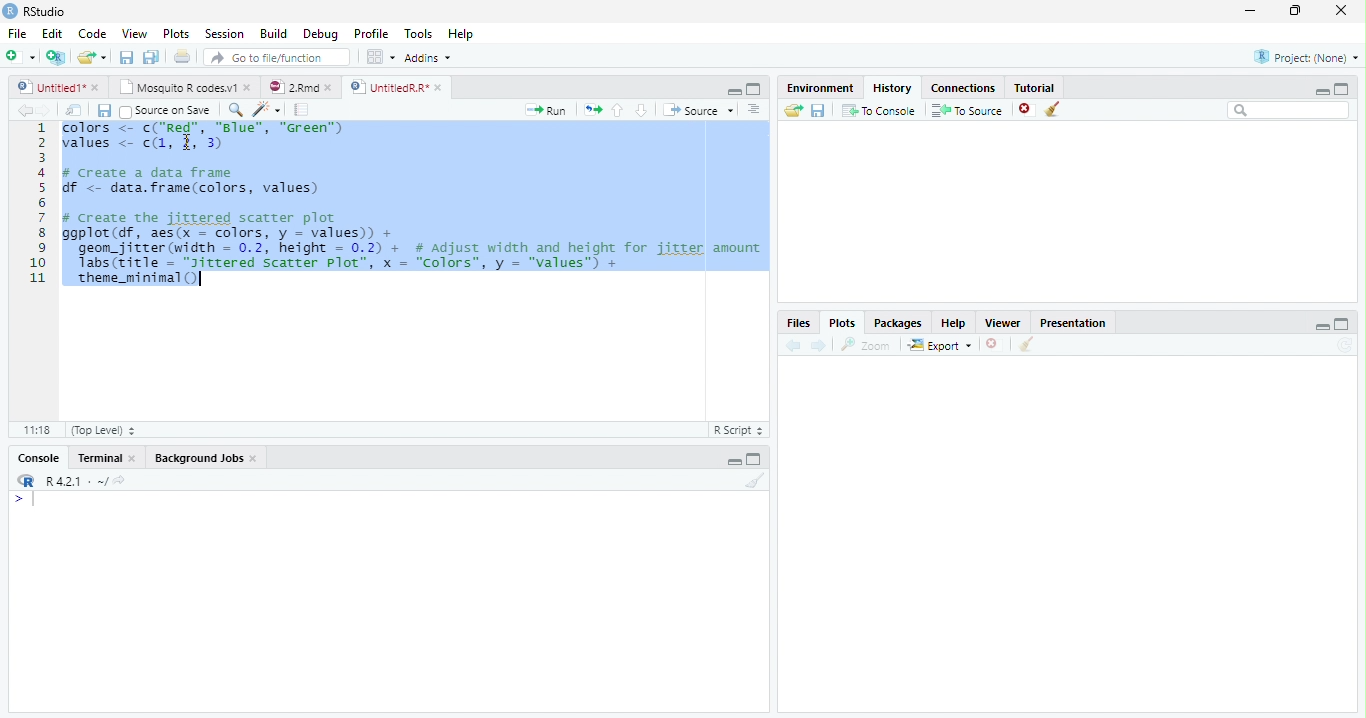 The height and width of the screenshot is (718, 1366). Describe the element at coordinates (224, 33) in the screenshot. I see `Session` at that location.